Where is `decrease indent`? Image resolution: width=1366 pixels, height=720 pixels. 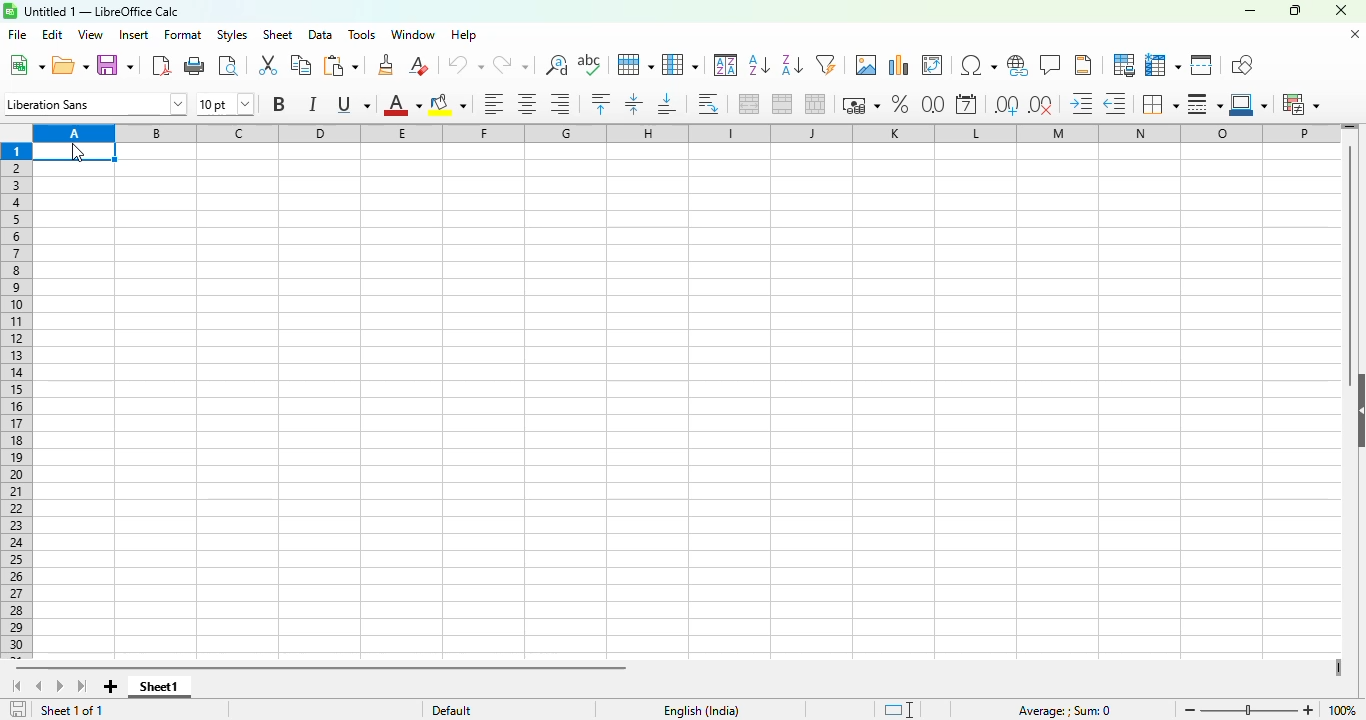
decrease indent is located at coordinates (1115, 104).